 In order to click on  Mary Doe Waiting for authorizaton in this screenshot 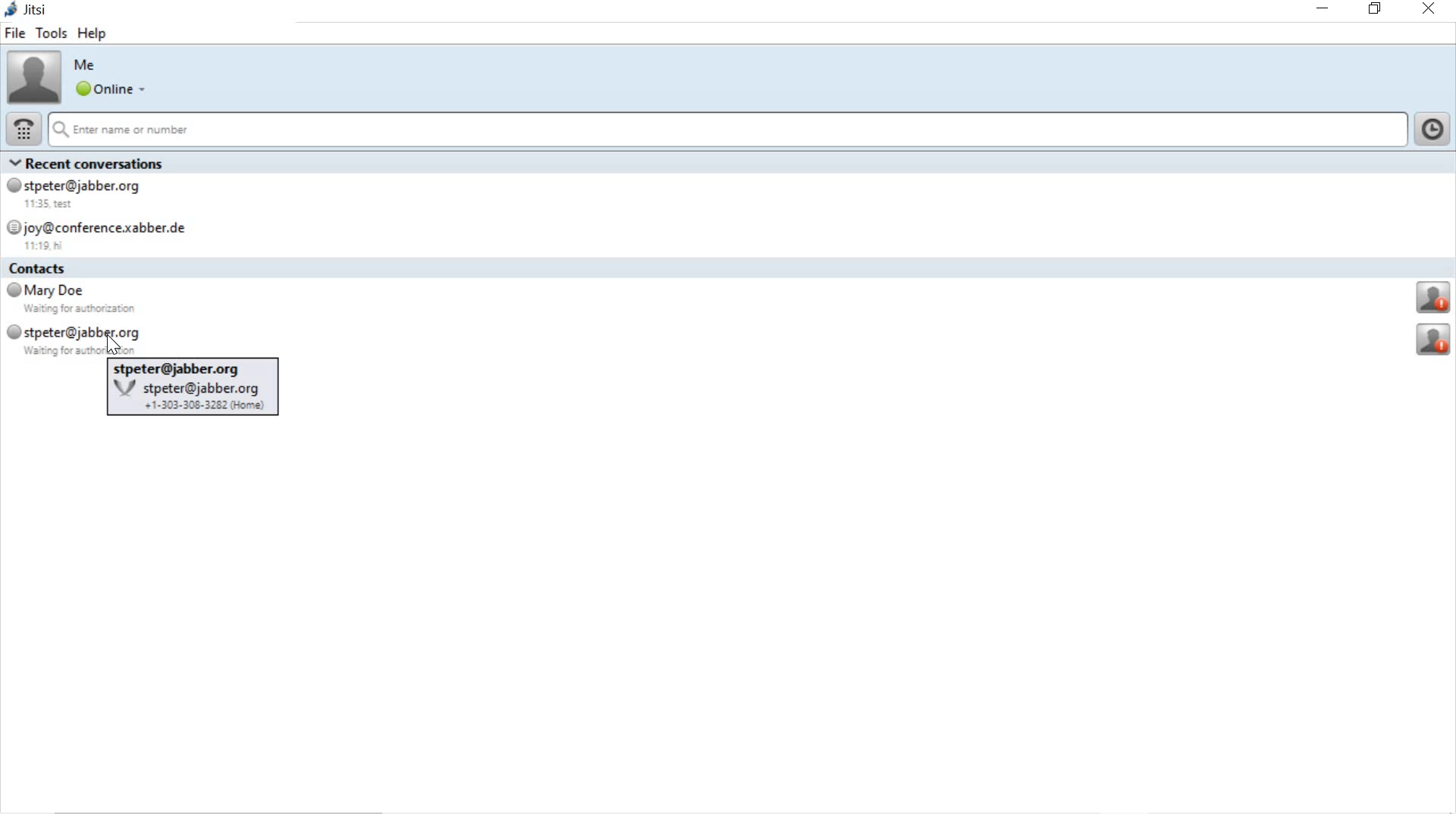, I will do `click(74, 301)`.